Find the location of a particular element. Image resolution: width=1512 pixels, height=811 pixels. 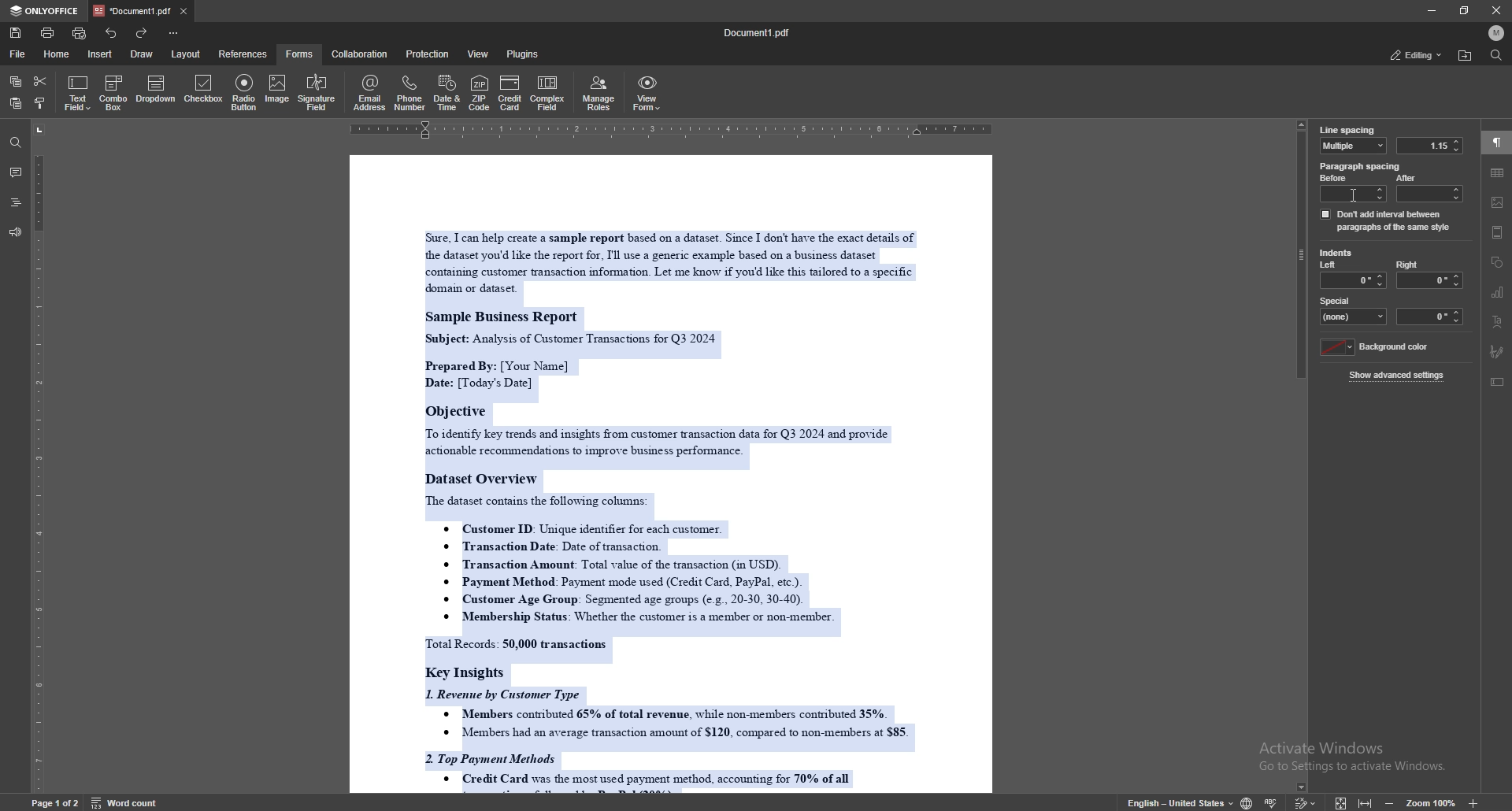

paragraph spacing is located at coordinates (1362, 166).